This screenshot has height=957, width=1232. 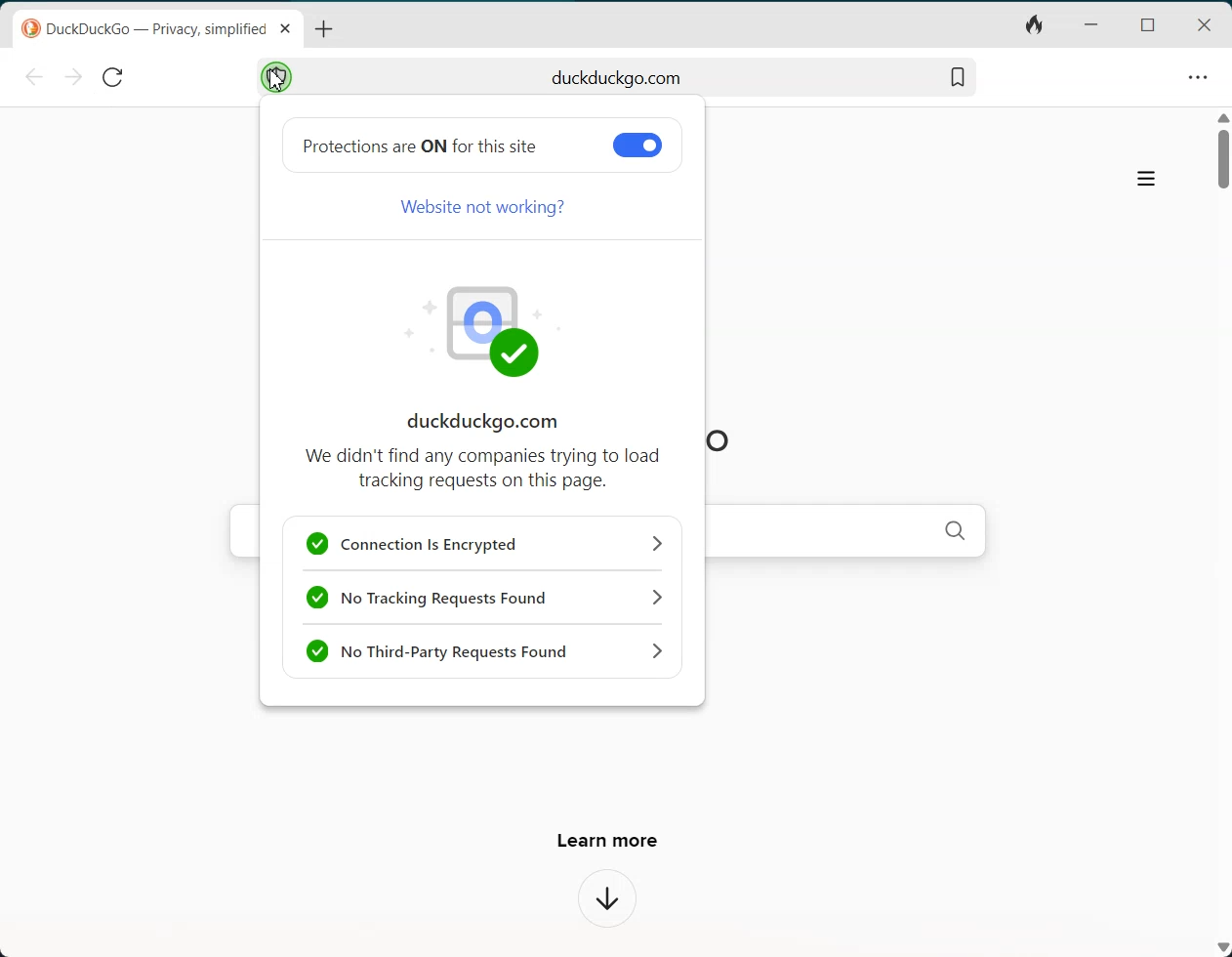 I want to click on scroll down, so click(x=1222, y=948).